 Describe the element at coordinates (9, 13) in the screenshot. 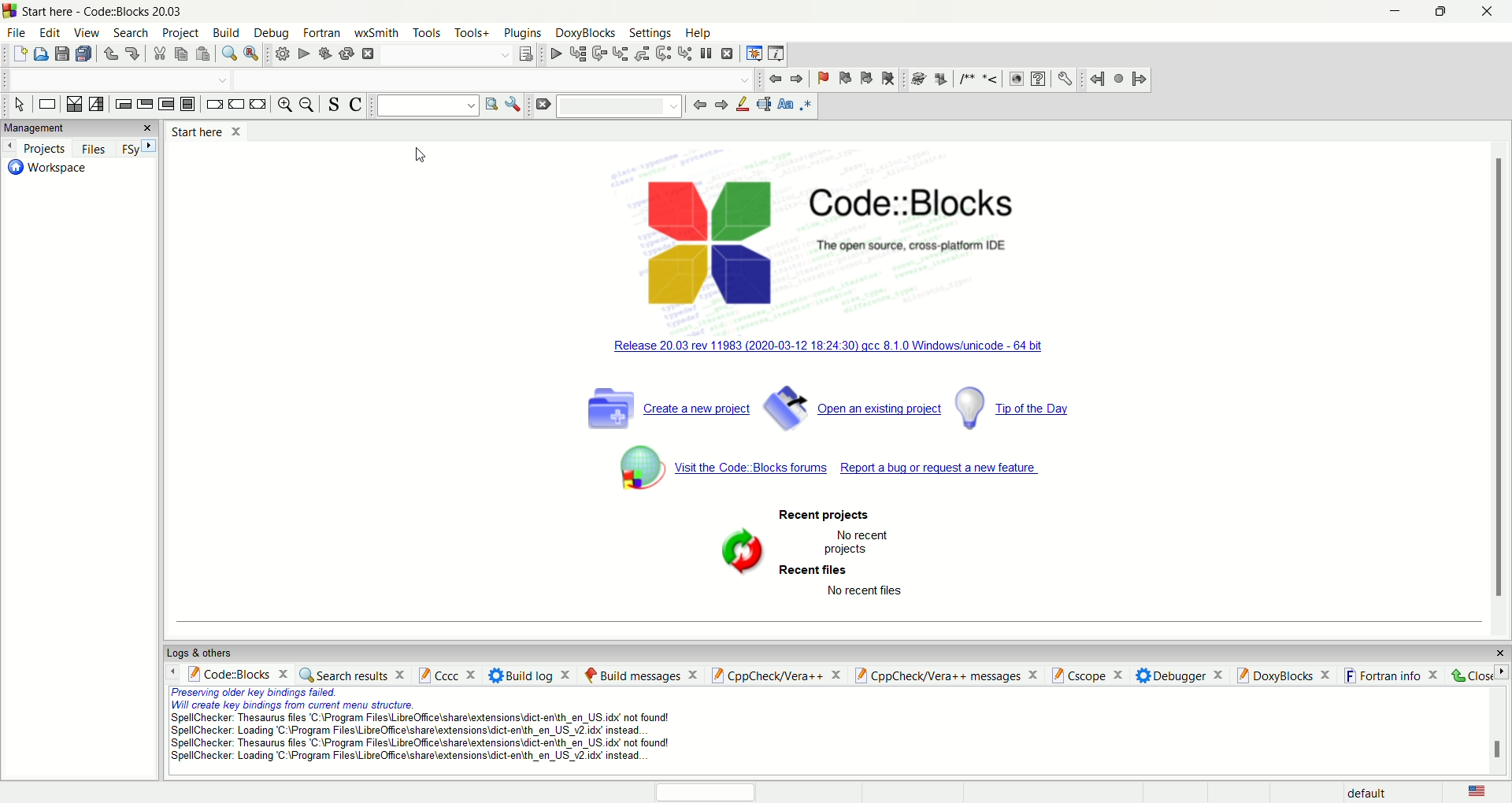

I see `logo` at that location.